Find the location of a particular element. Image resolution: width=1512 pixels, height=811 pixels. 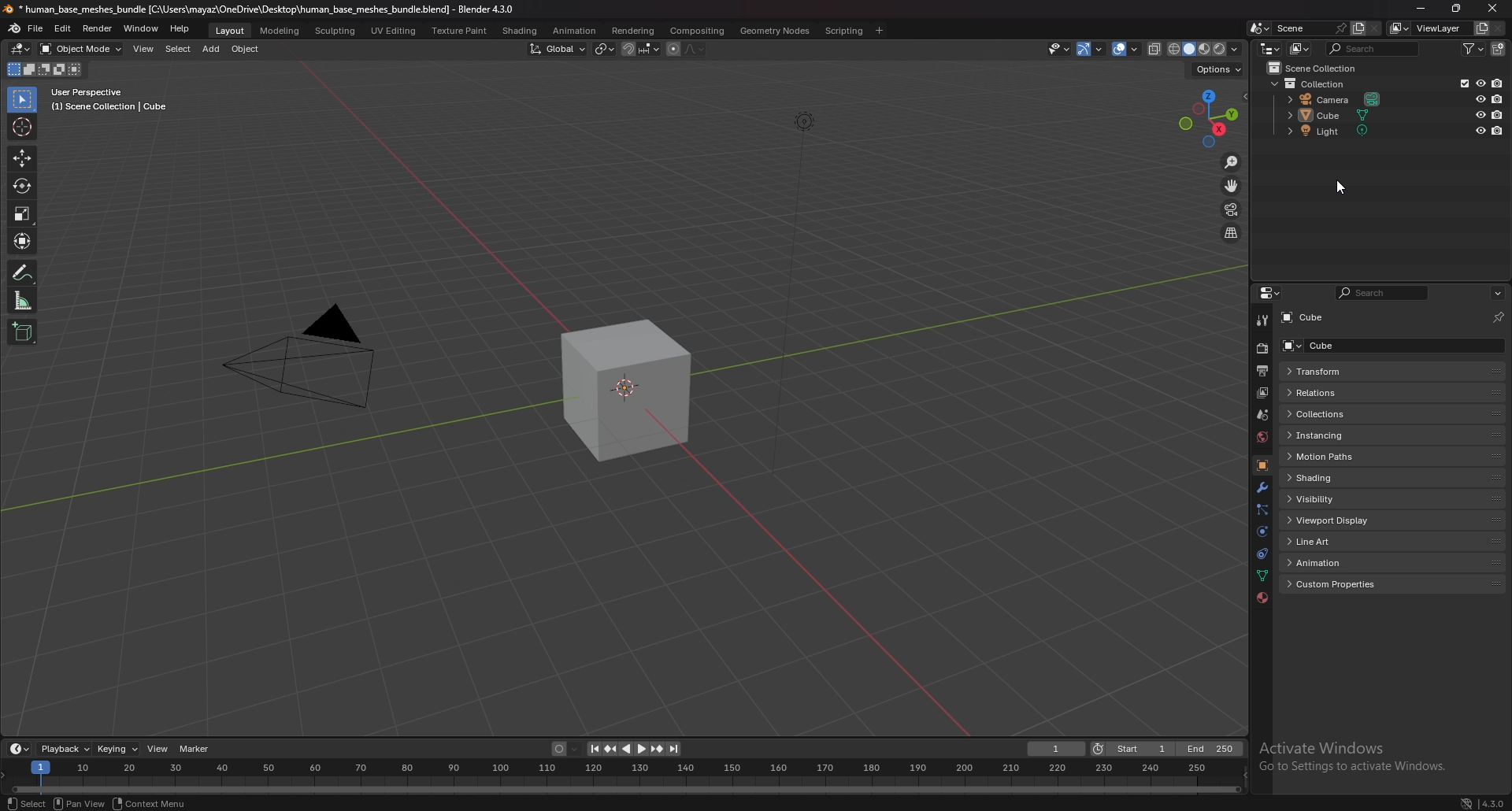

browse scene is located at coordinates (1260, 28).